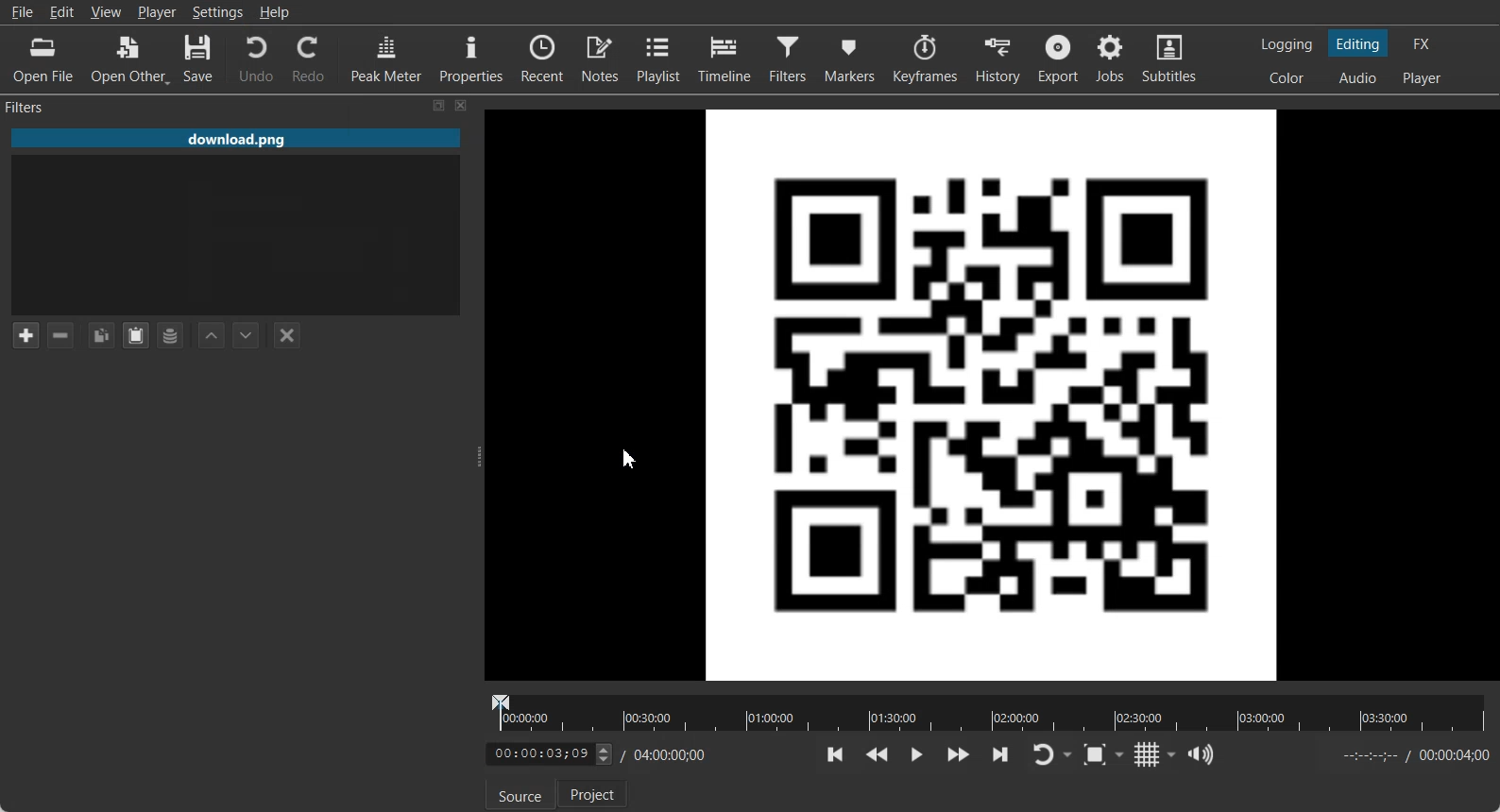 This screenshot has height=812, width=1500. I want to click on Project, so click(592, 793).